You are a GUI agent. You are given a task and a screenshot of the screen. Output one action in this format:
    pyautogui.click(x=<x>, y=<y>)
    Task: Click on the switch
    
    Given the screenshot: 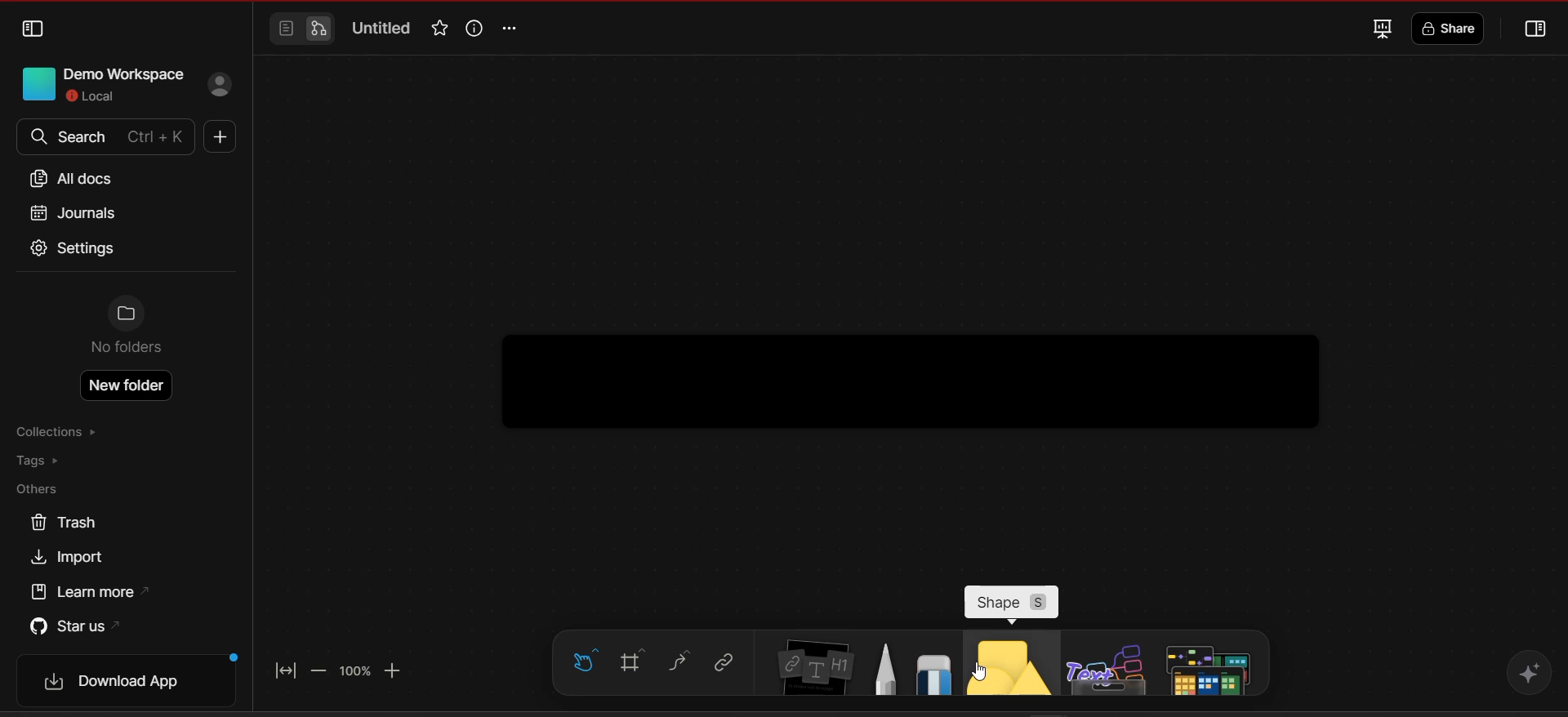 What is the action you would take?
    pyautogui.click(x=301, y=29)
    